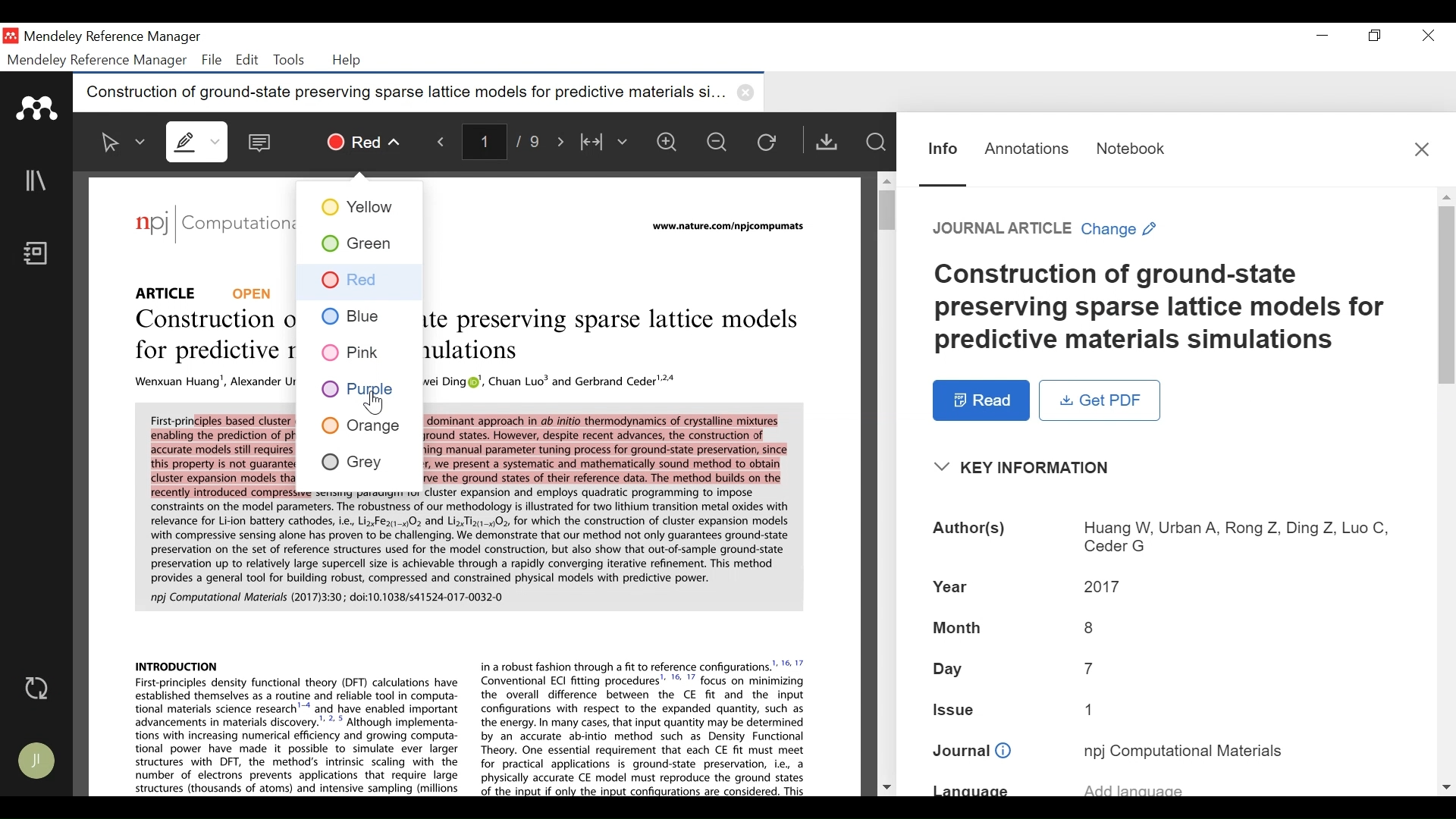  Describe the element at coordinates (357, 318) in the screenshot. I see `Blue` at that location.